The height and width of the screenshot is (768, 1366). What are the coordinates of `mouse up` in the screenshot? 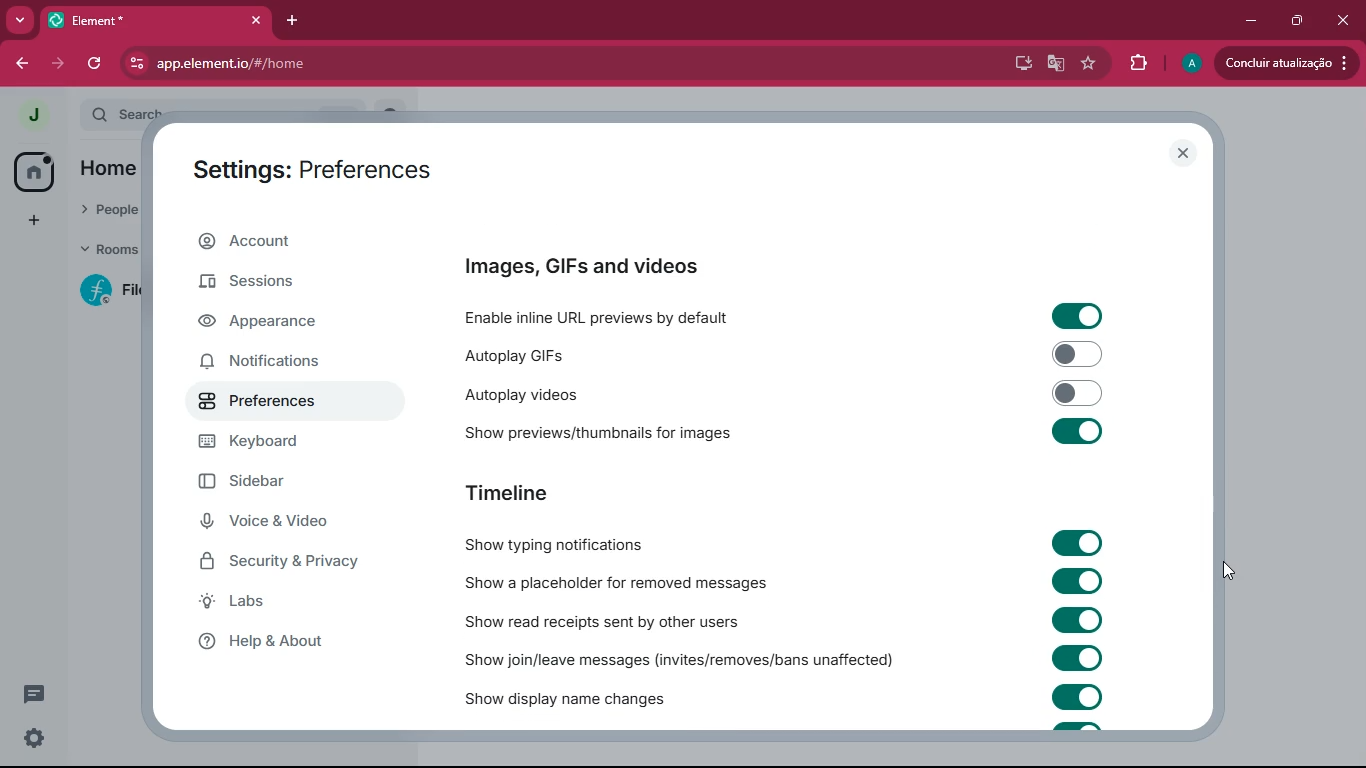 It's located at (1230, 569).